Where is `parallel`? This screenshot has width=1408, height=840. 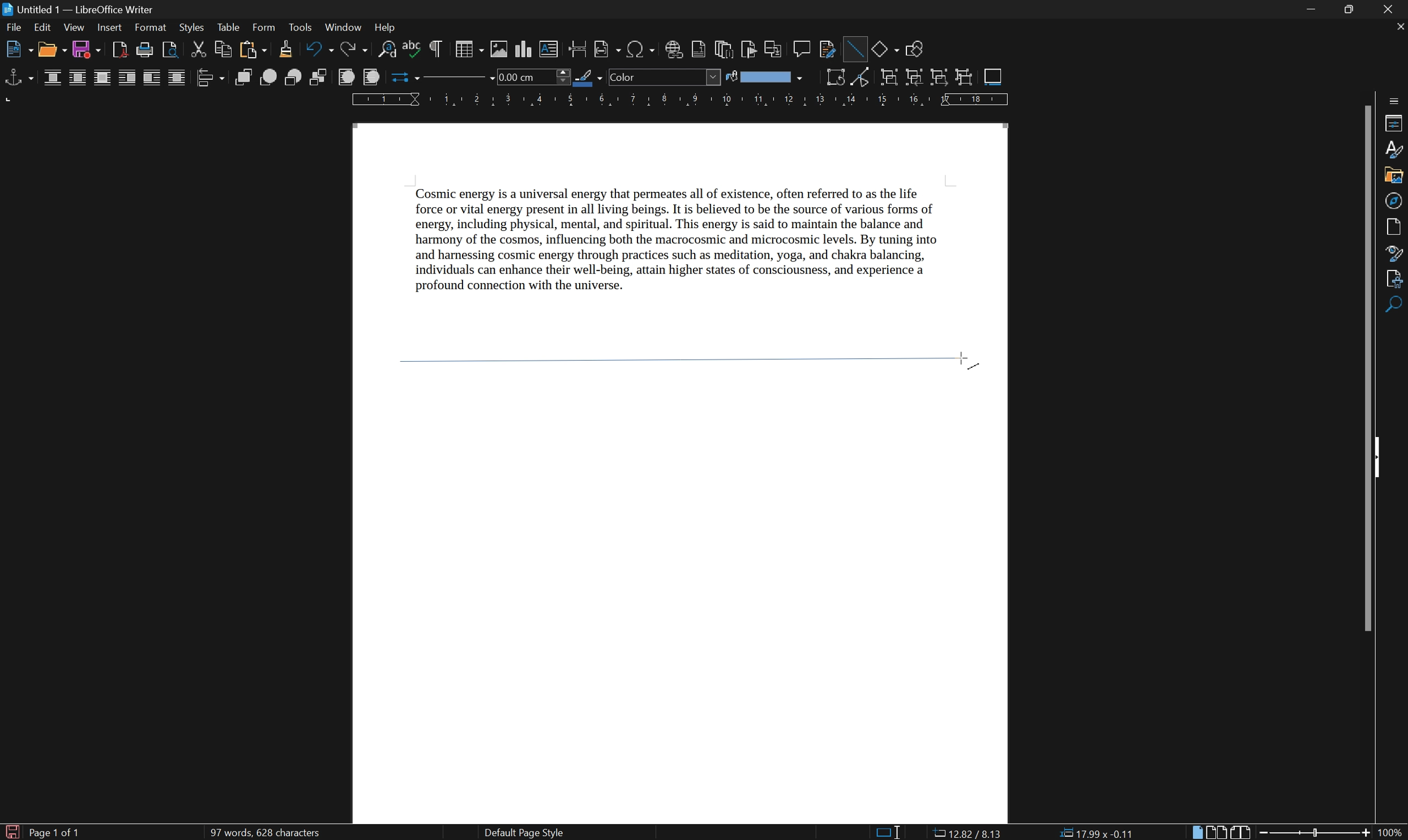
parallel is located at coordinates (79, 79).